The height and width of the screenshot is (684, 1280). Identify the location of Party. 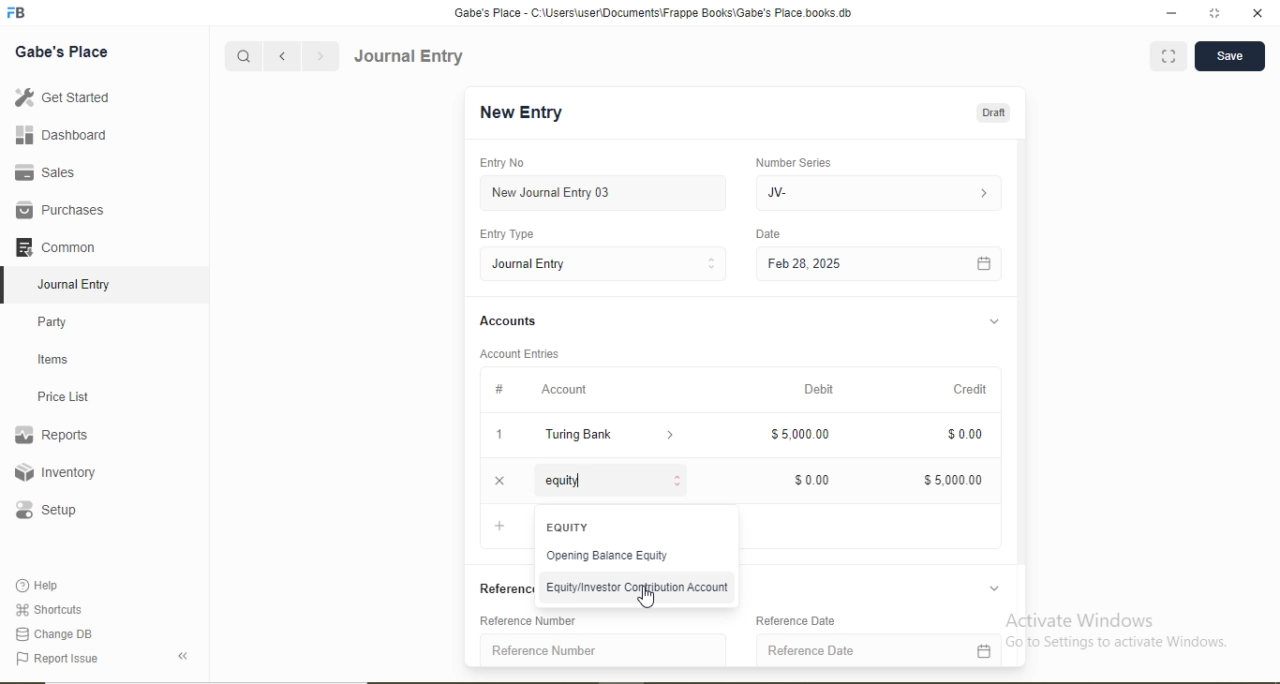
(53, 324).